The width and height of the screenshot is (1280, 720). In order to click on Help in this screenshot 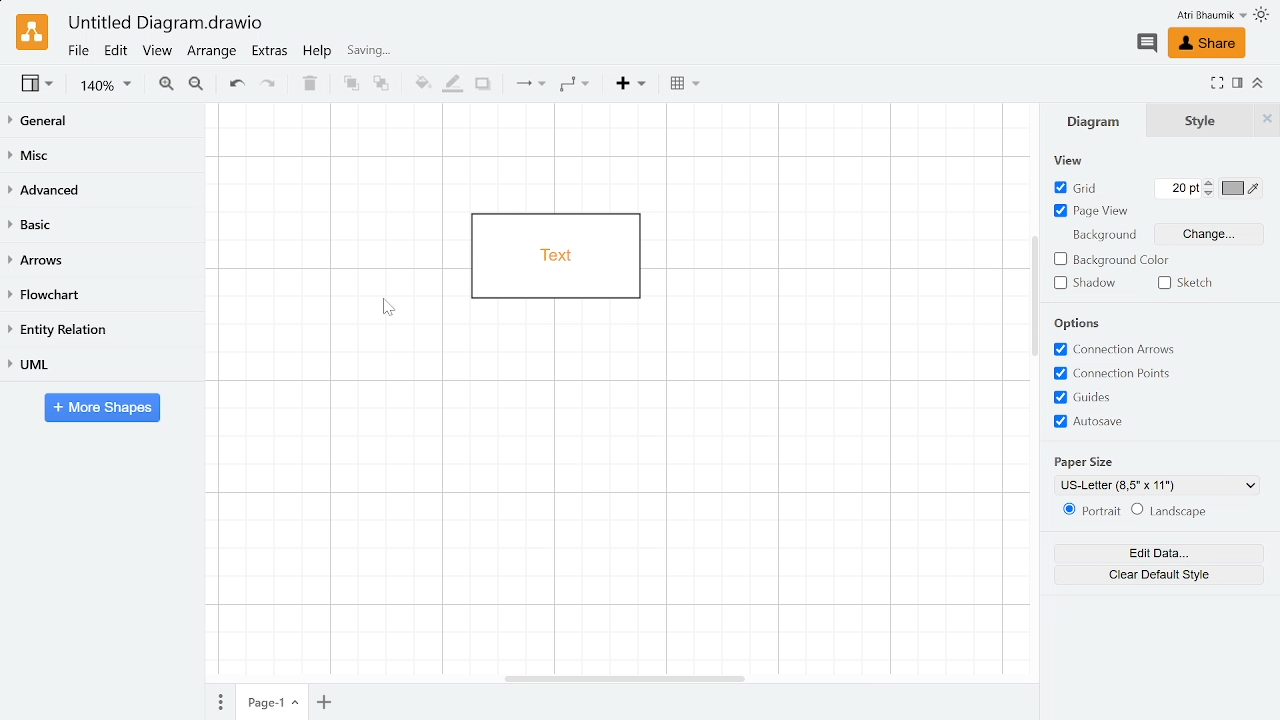, I will do `click(319, 54)`.